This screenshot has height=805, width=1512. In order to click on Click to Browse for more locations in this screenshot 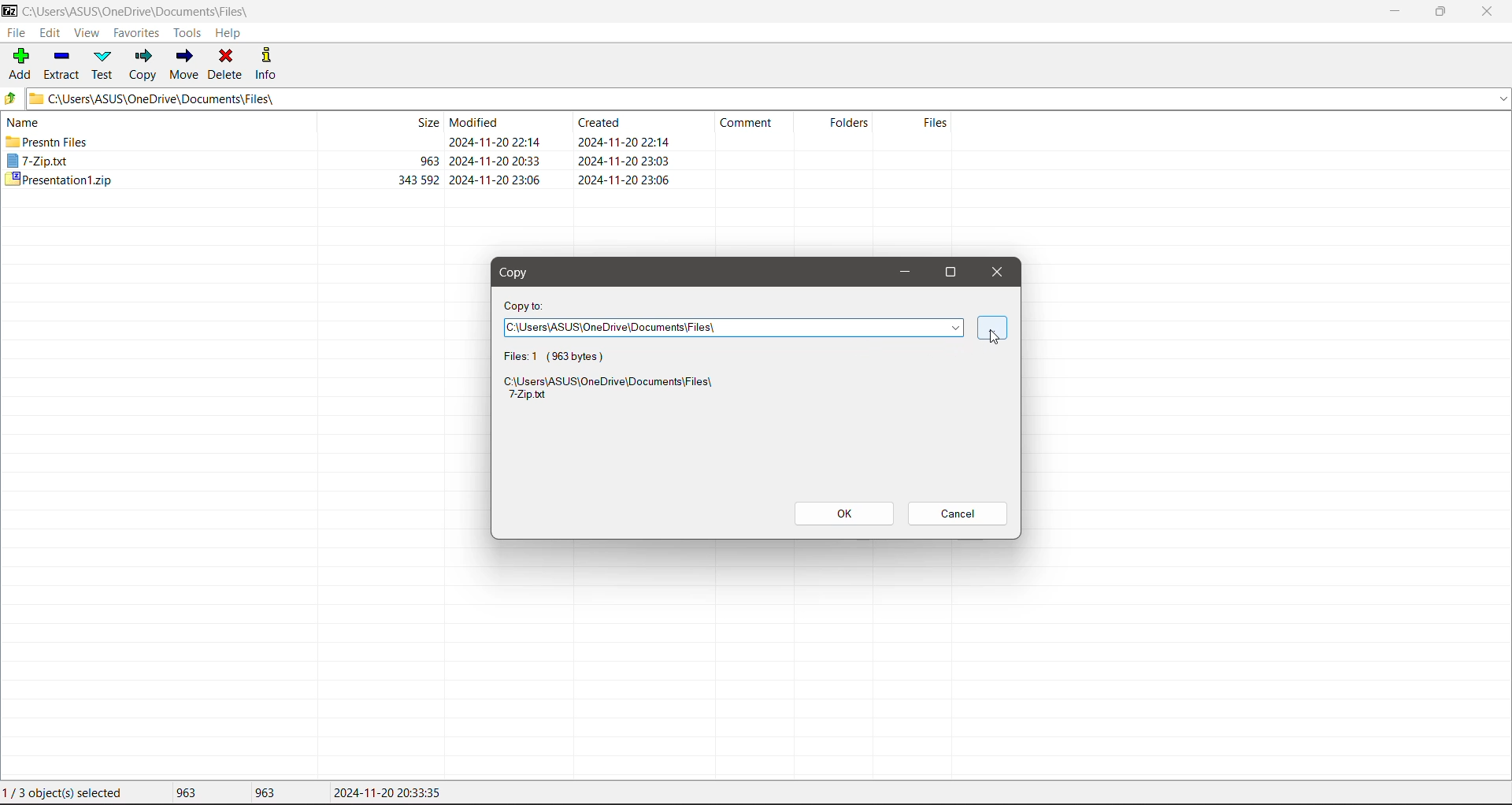, I will do `click(992, 329)`.